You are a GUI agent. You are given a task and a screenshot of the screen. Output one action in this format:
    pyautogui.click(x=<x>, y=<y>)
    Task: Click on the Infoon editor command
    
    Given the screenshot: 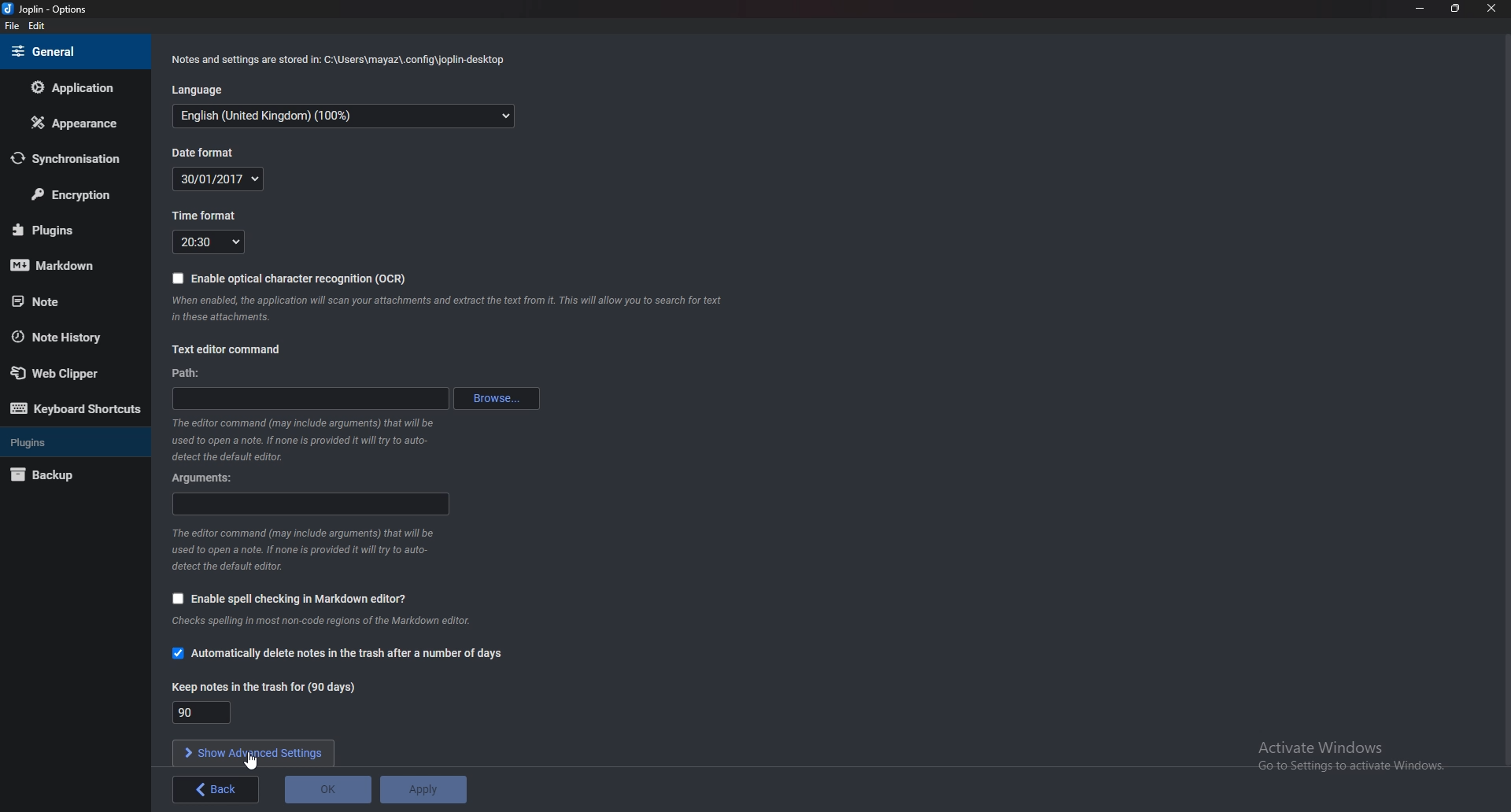 What is the action you would take?
    pyautogui.click(x=302, y=550)
    